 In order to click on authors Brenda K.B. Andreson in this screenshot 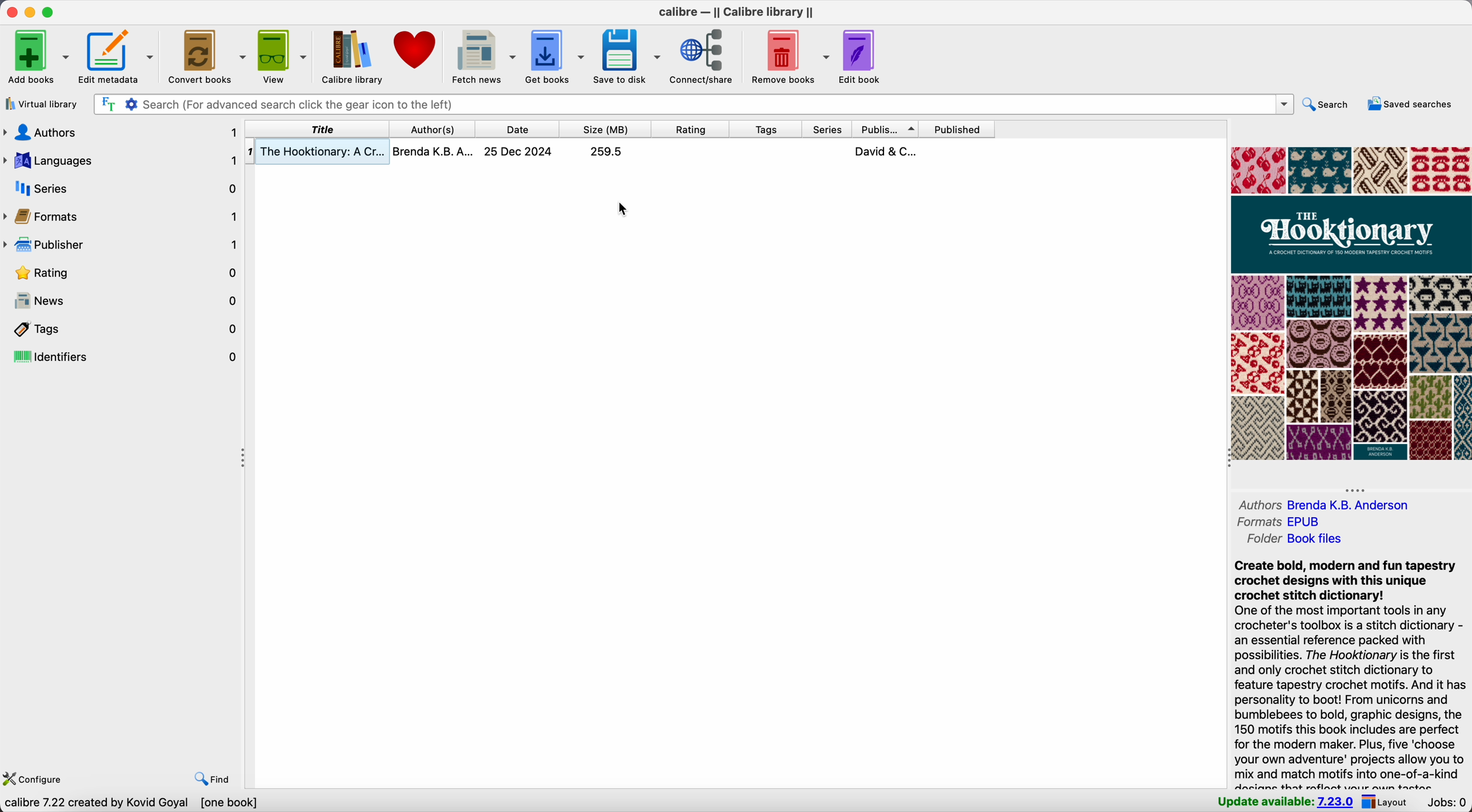, I will do `click(1324, 504)`.